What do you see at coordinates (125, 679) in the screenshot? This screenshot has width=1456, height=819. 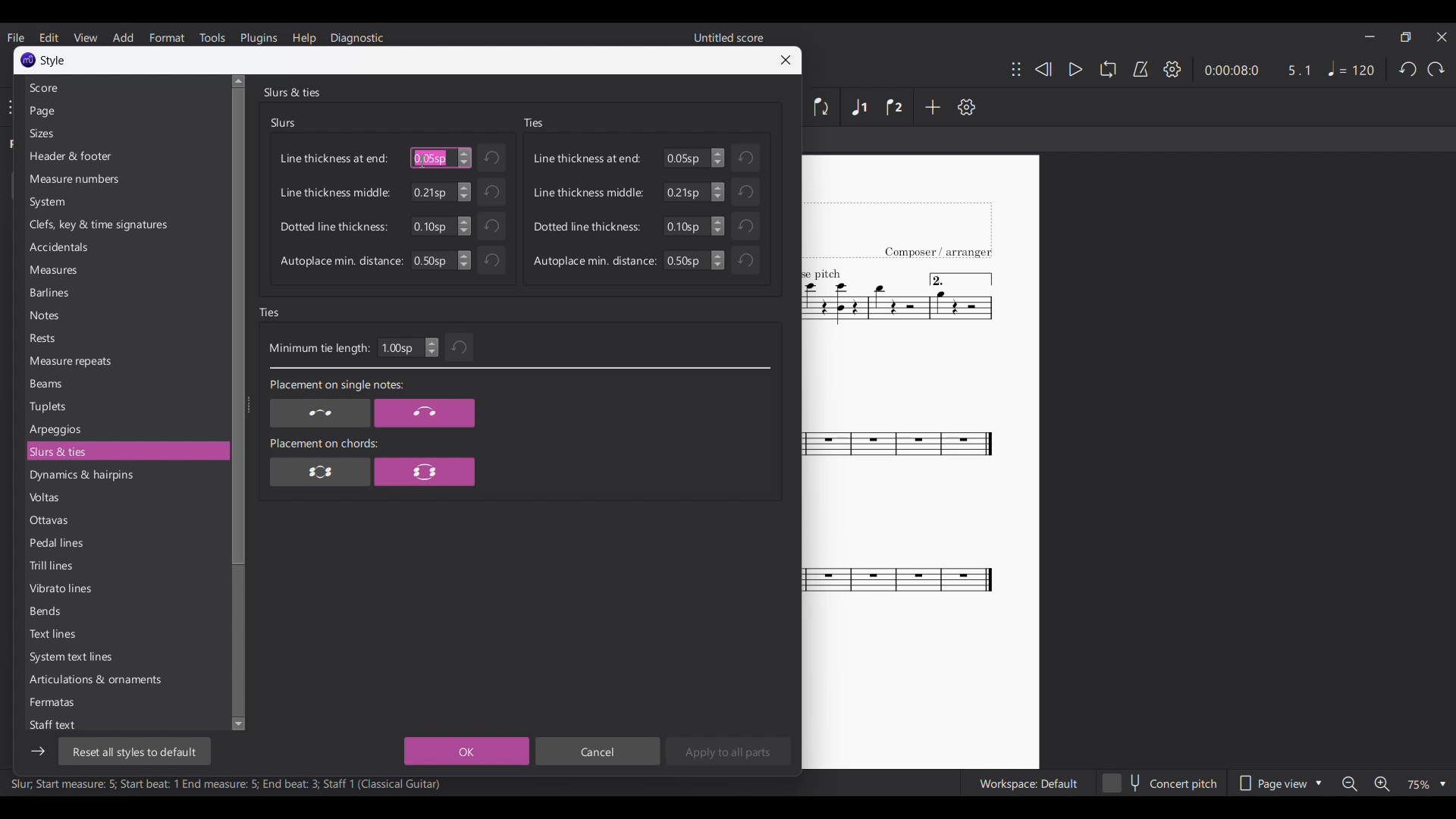 I see `Articulations & ornaments` at bounding box center [125, 679].